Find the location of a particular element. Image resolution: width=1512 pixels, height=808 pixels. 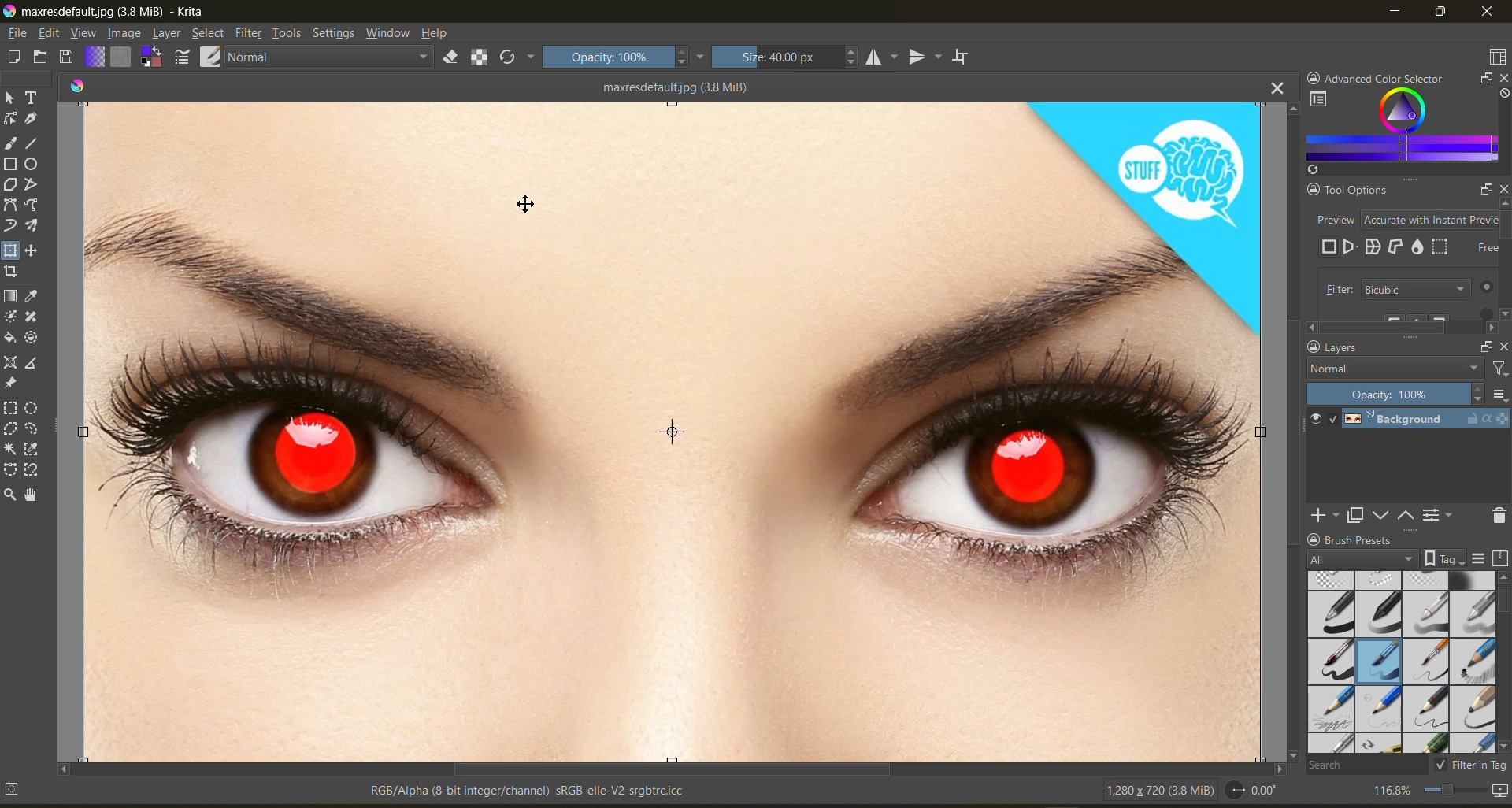

float docker is located at coordinates (1484, 80).